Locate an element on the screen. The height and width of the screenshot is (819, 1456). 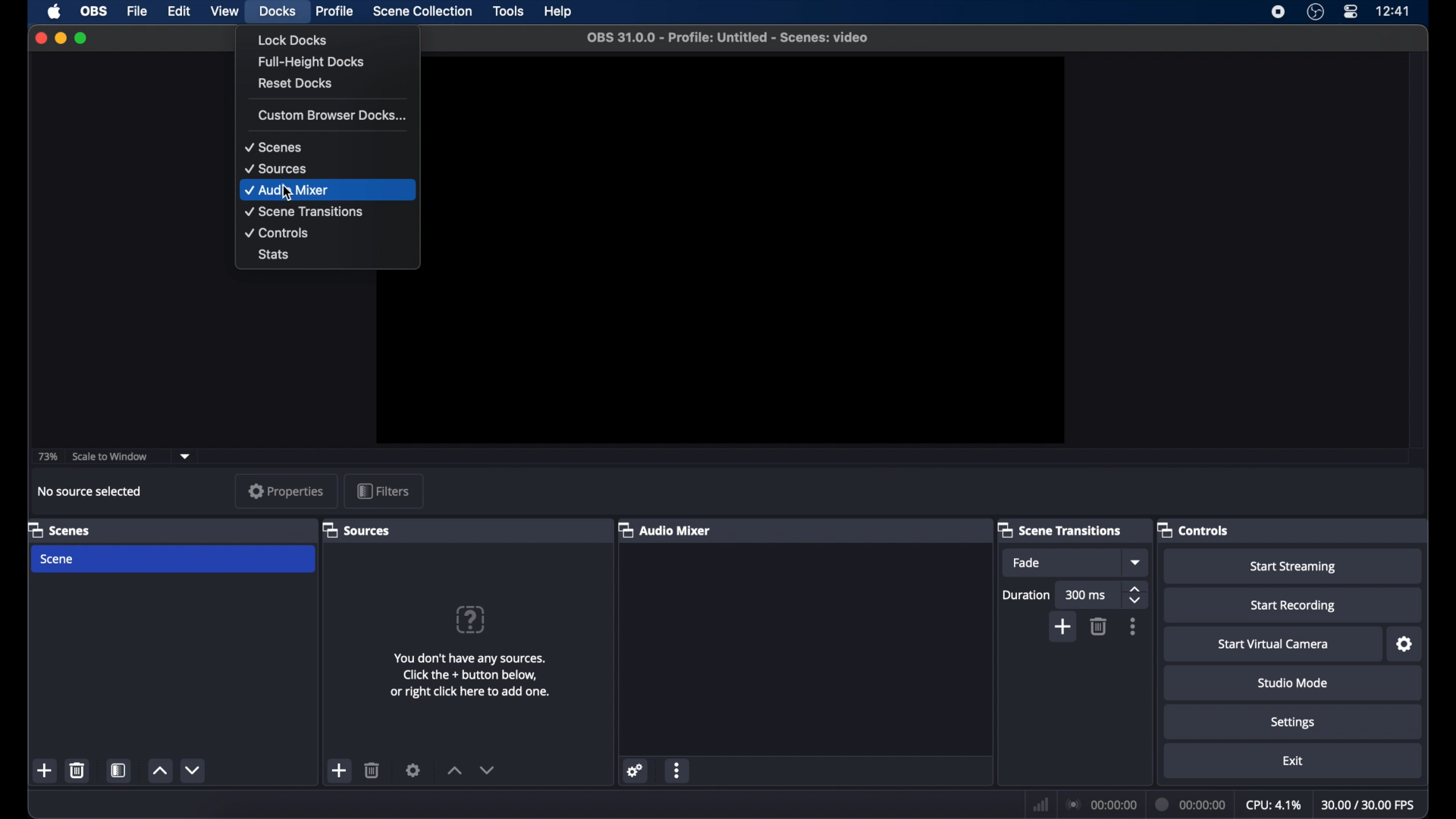
73% is located at coordinates (47, 457).